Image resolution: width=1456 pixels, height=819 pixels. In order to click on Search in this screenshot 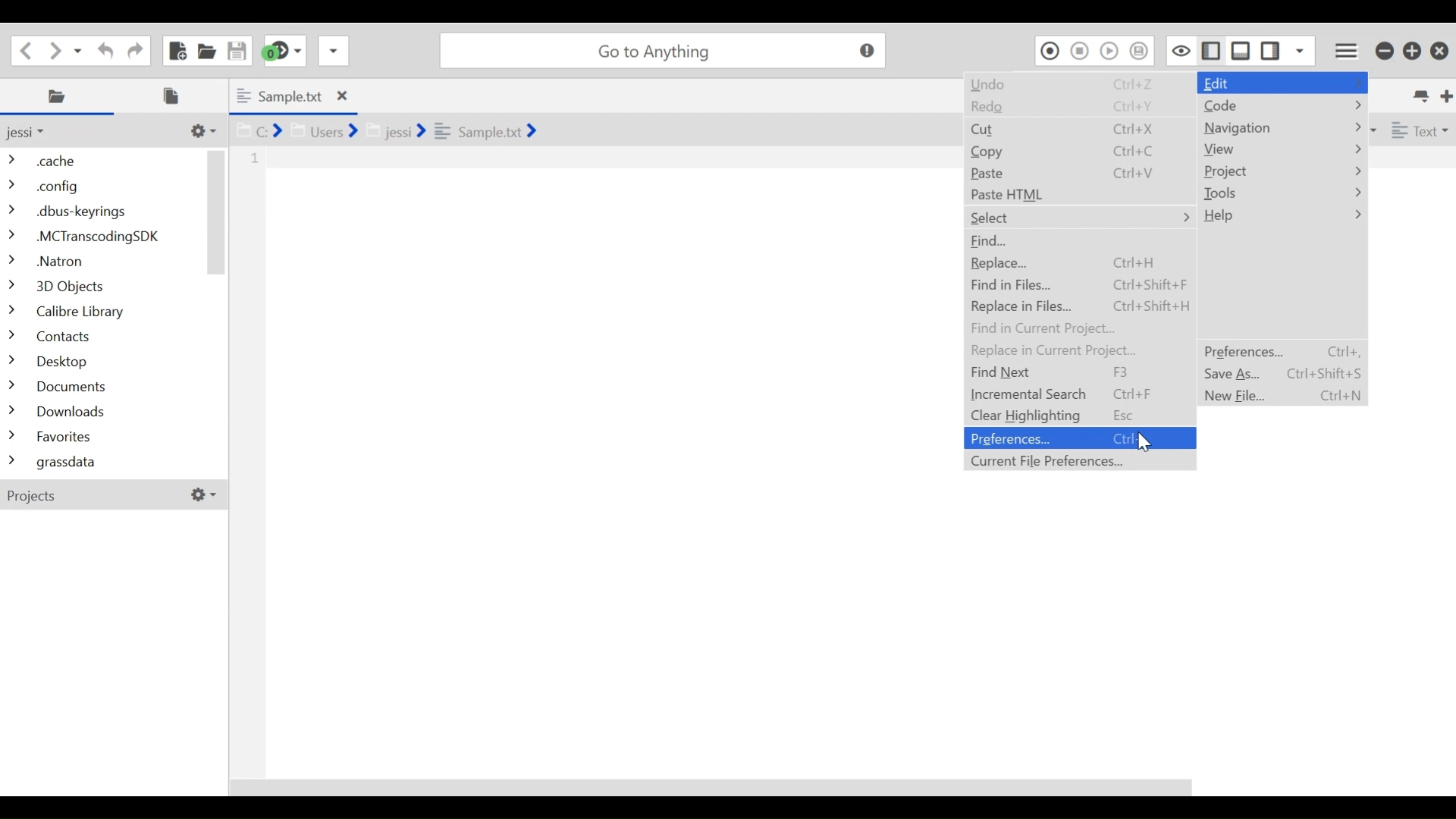, I will do `click(662, 50)`.